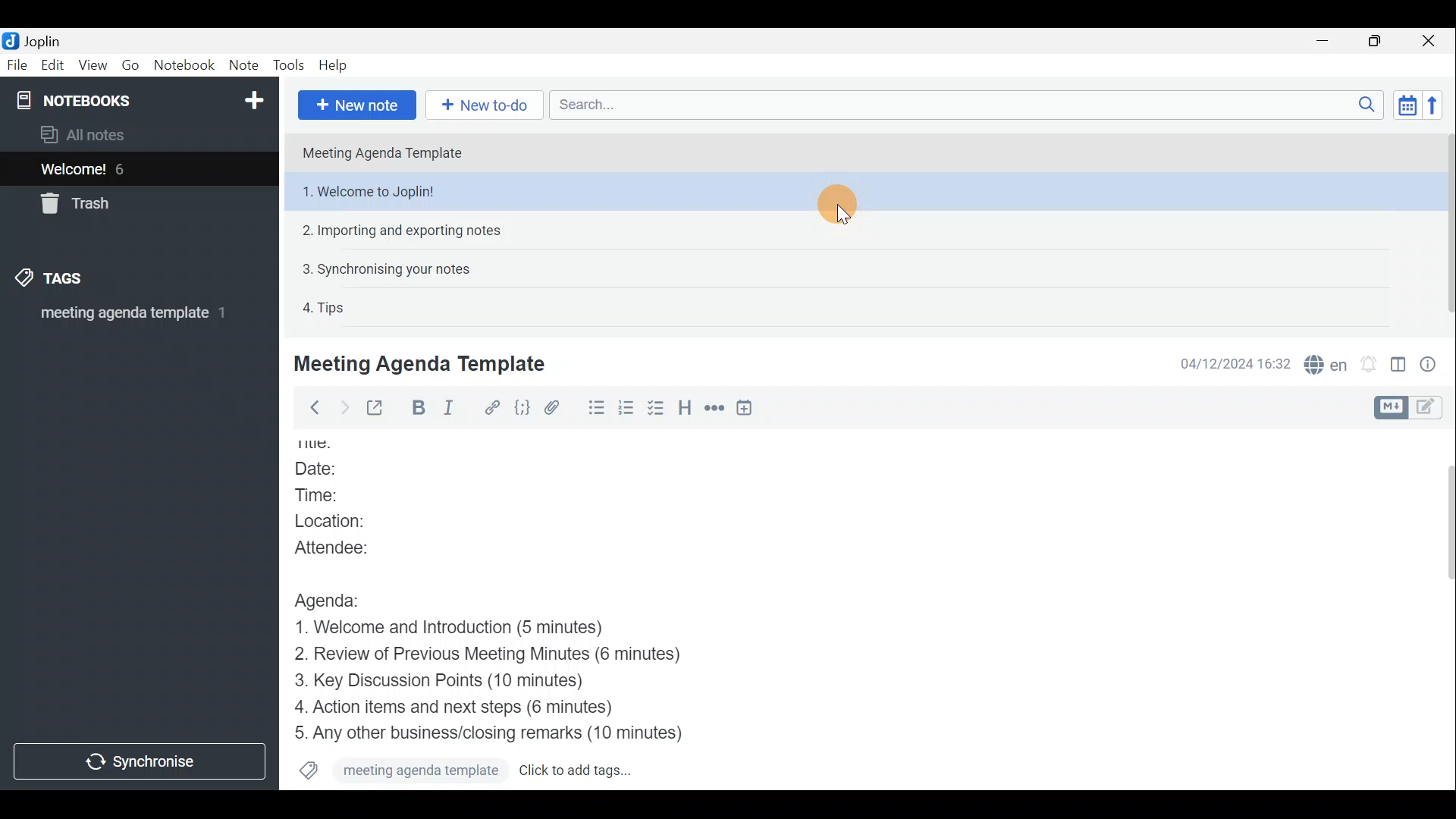 This screenshot has width=1456, height=819. What do you see at coordinates (1389, 408) in the screenshot?
I see `Toggle editors` at bounding box center [1389, 408].